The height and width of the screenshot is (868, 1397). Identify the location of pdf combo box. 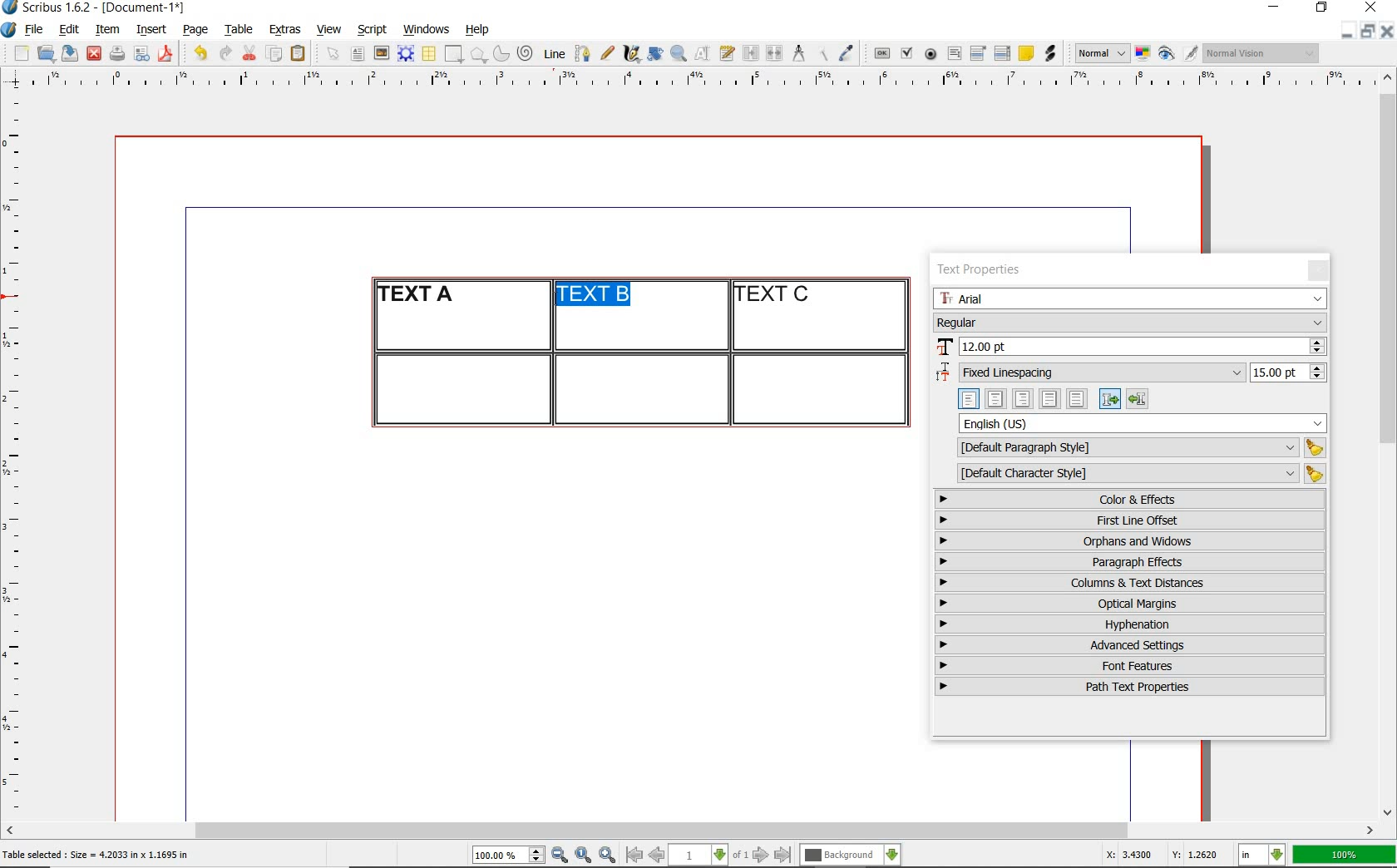
(979, 52).